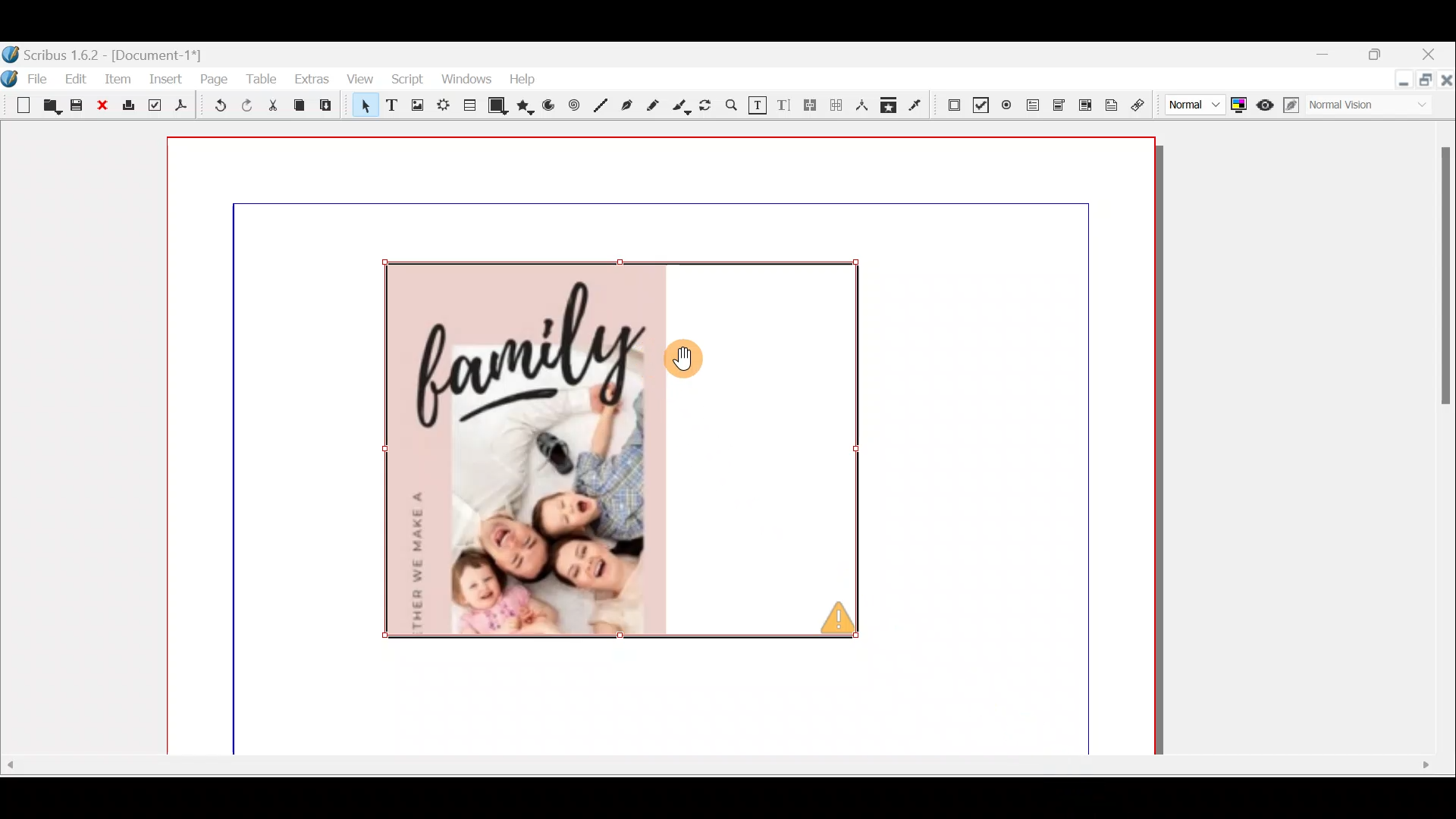 The width and height of the screenshot is (1456, 819). Describe the element at coordinates (1057, 105) in the screenshot. I see `PDF combo box` at that location.